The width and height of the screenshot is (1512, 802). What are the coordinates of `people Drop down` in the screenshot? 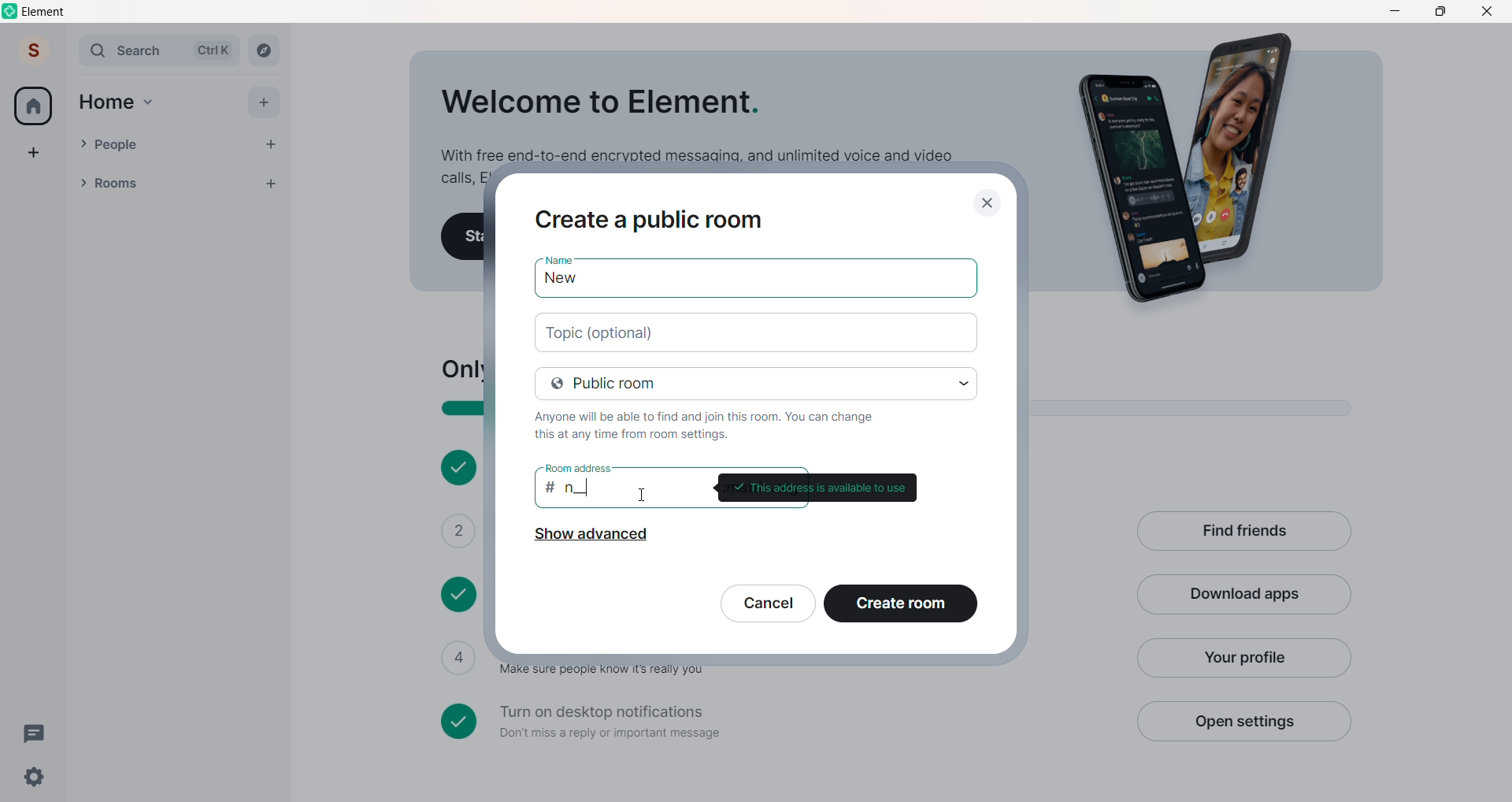 It's located at (83, 143).